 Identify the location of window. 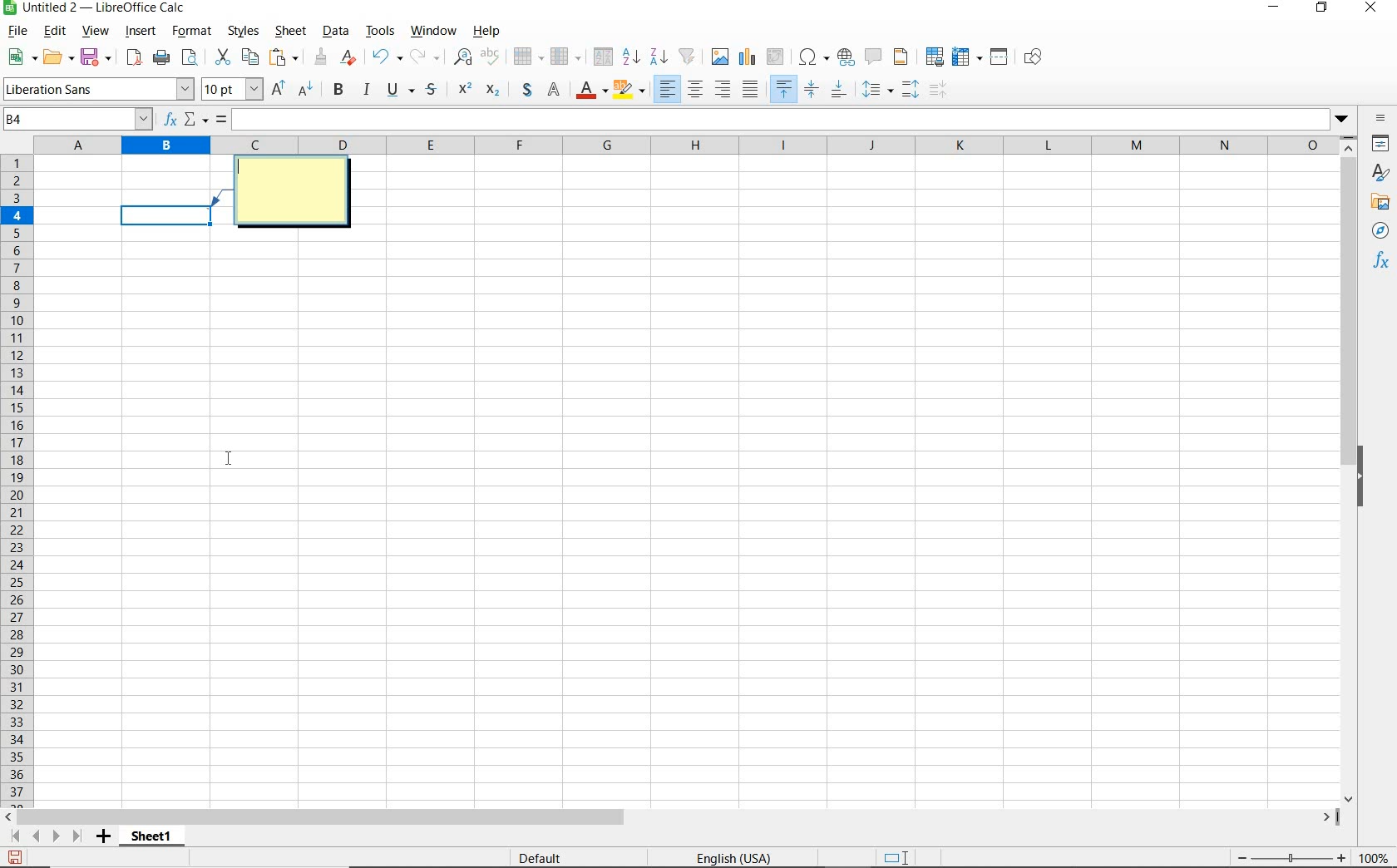
(432, 31).